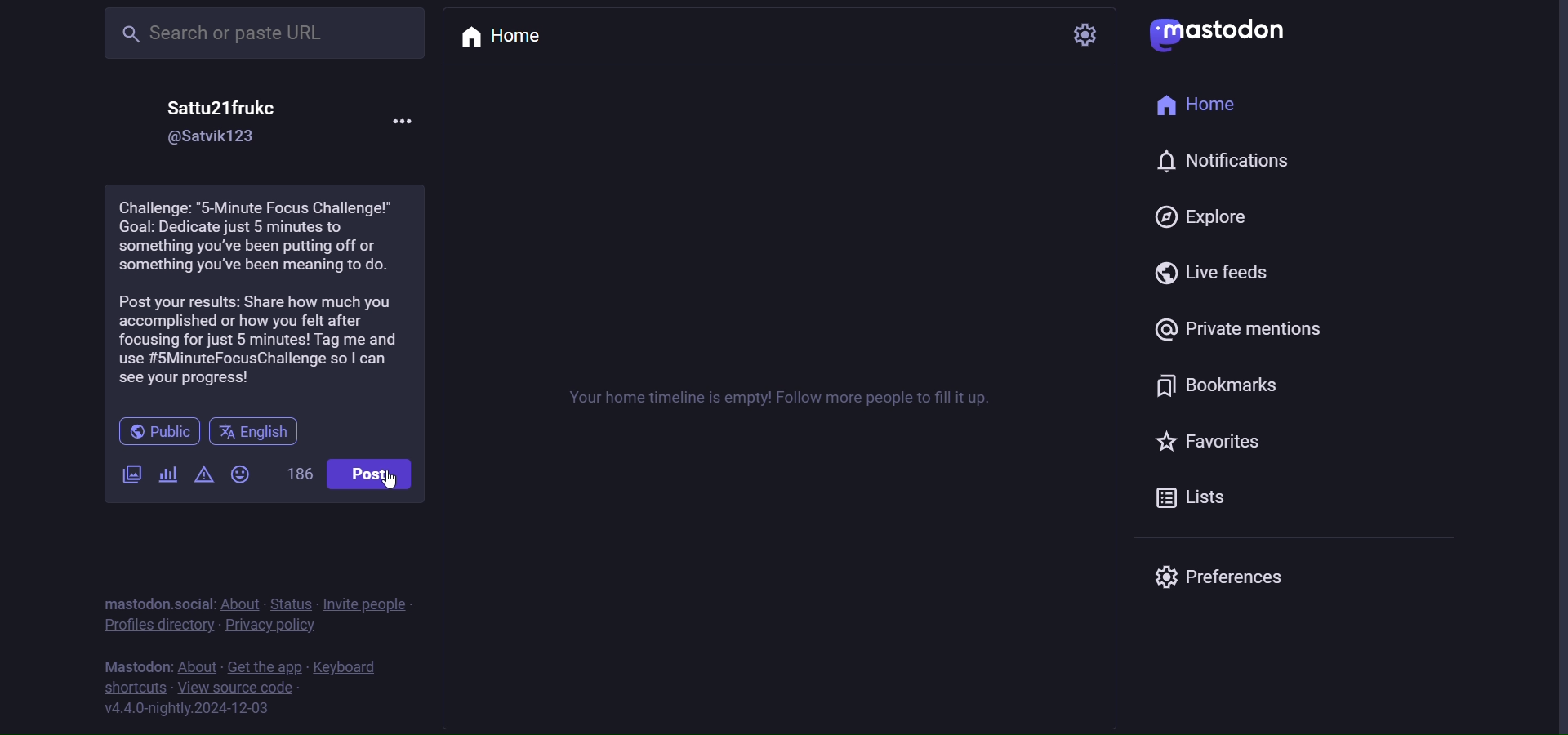 The height and width of the screenshot is (735, 1568). I want to click on public, so click(158, 430).